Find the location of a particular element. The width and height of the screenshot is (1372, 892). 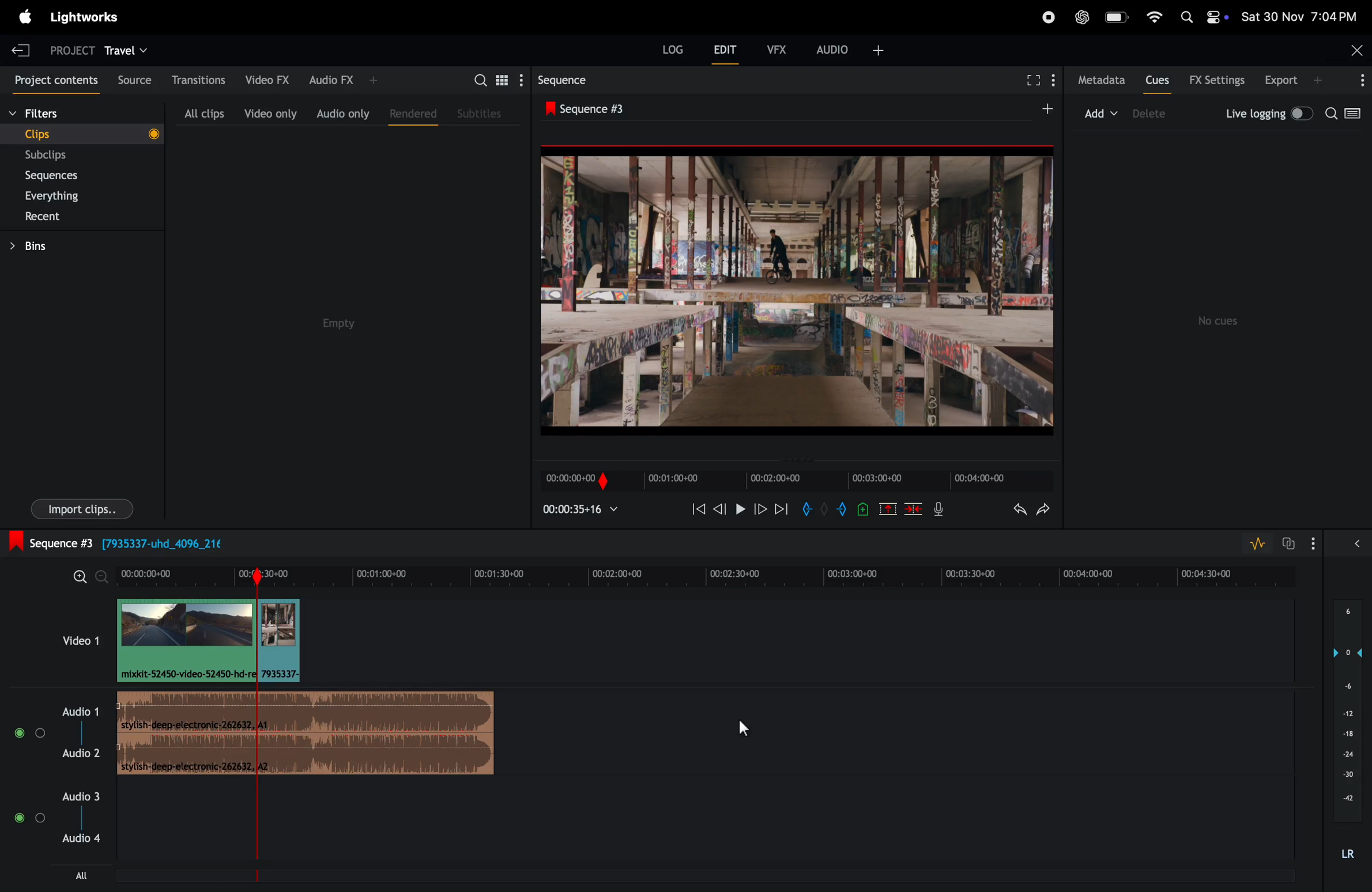

videos only is located at coordinates (270, 111).